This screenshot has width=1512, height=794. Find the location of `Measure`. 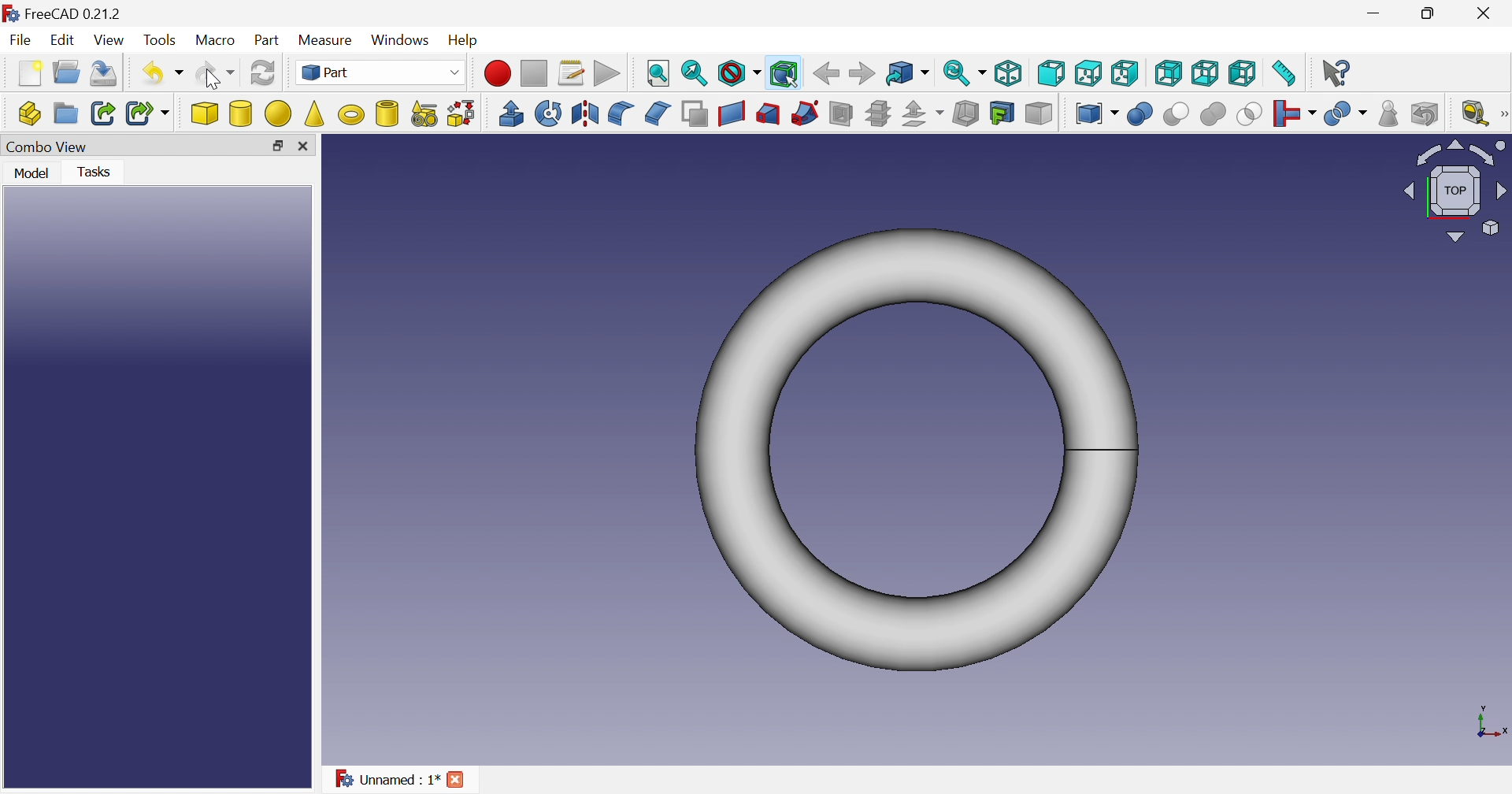

Measure is located at coordinates (1503, 117).